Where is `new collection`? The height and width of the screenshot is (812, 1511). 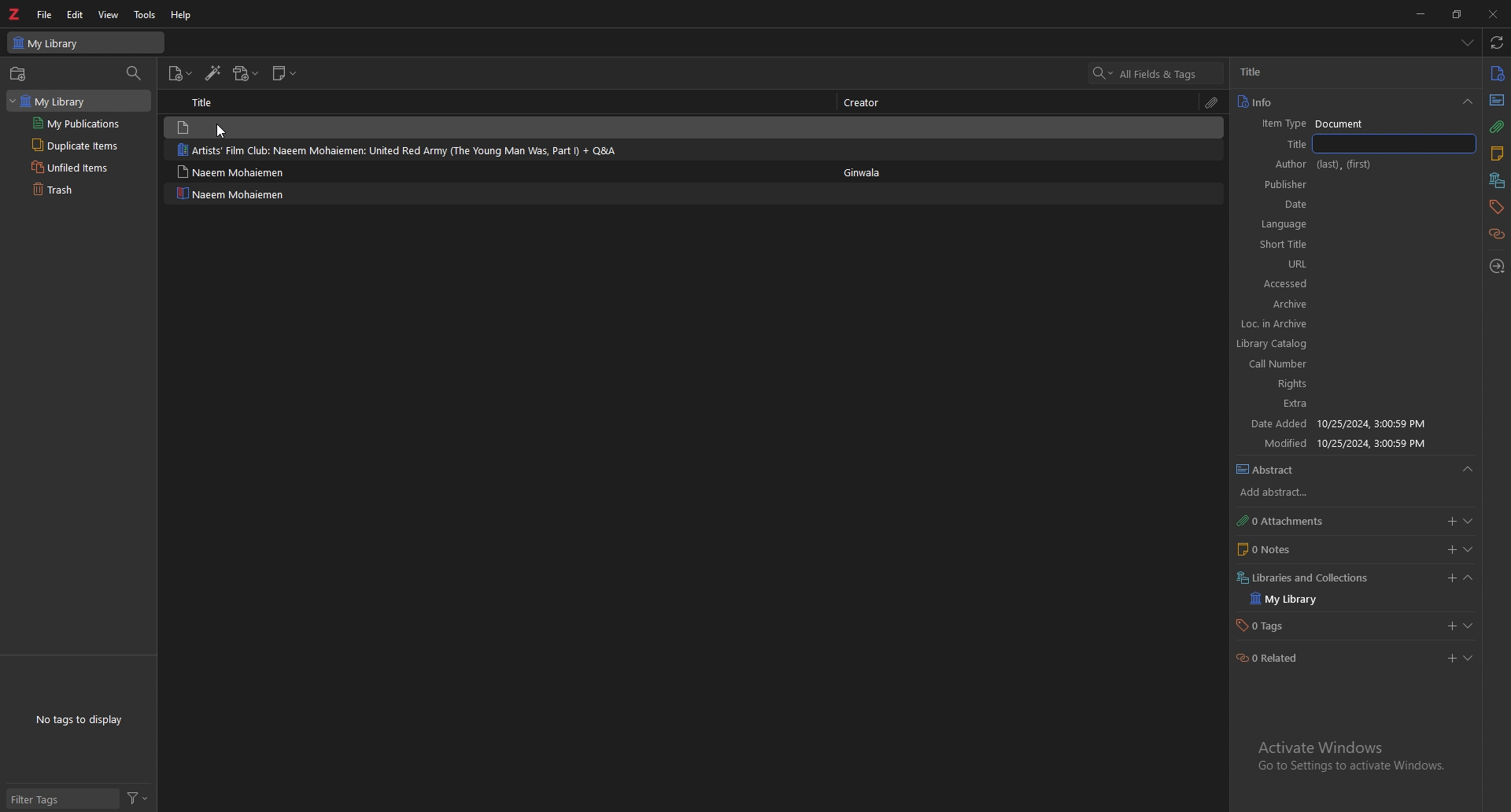
new collection is located at coordinates (20, 74).